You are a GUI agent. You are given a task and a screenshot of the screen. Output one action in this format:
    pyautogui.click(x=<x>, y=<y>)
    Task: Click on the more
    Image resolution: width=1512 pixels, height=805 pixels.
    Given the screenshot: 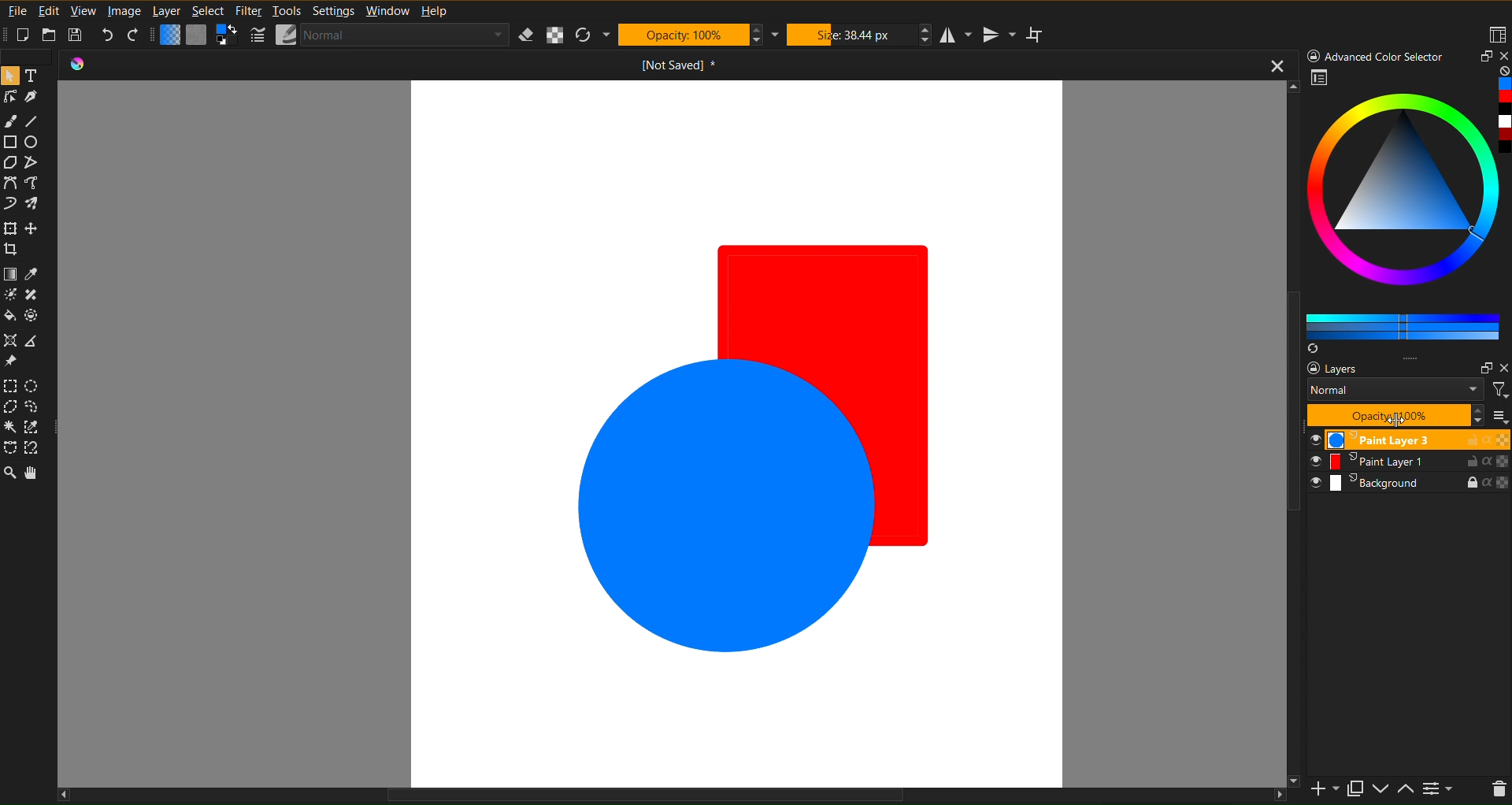 What is the action you would take?
    pyautogui.click(x=1500, y=417)
    